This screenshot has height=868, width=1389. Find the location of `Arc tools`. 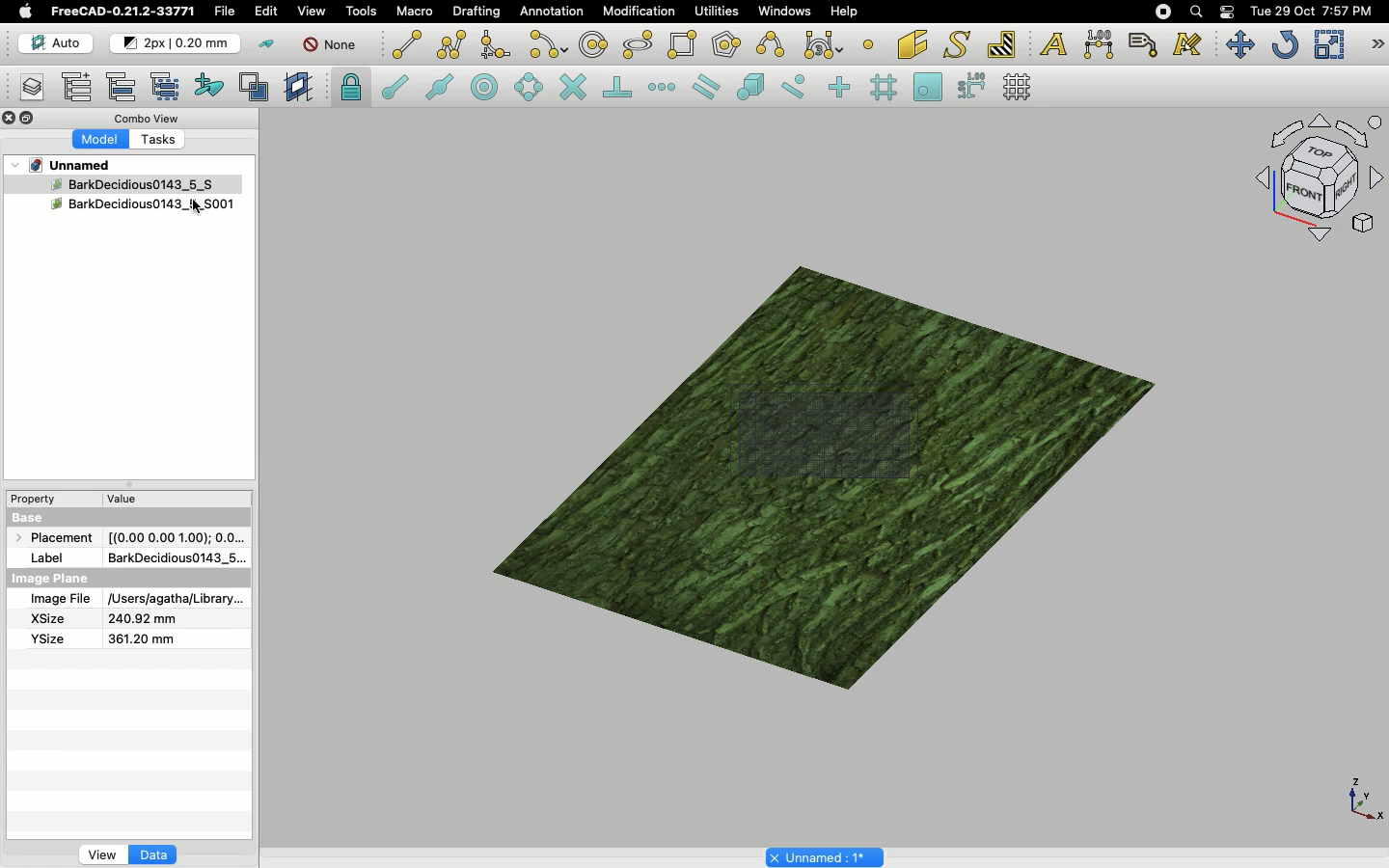

Arc tools is located at coordinates (547, 46).